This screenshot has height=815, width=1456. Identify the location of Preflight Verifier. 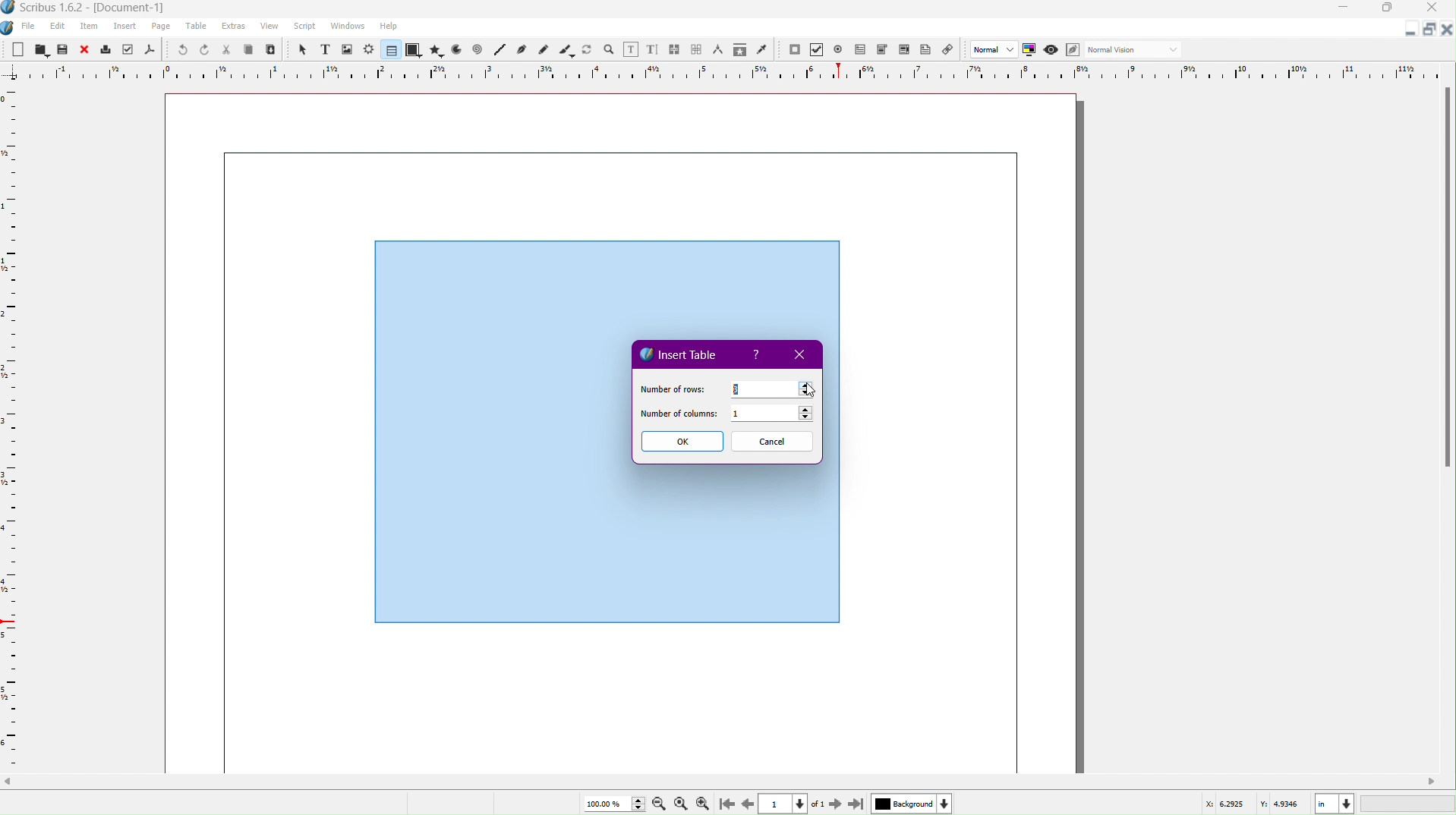
(125, 50).